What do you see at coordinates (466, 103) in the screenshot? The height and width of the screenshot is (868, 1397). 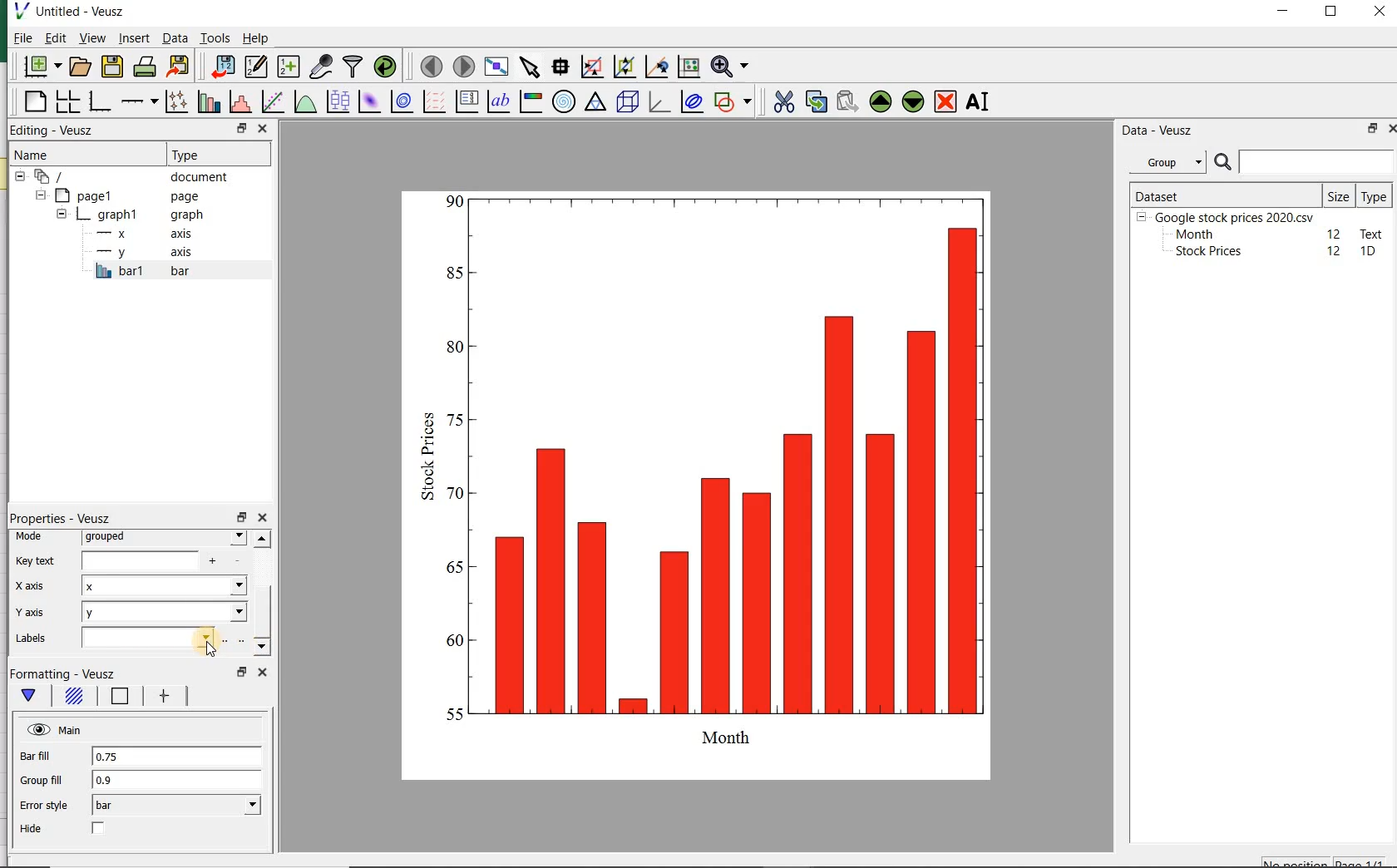 I see `plot key` at bounding box center [466, 103].